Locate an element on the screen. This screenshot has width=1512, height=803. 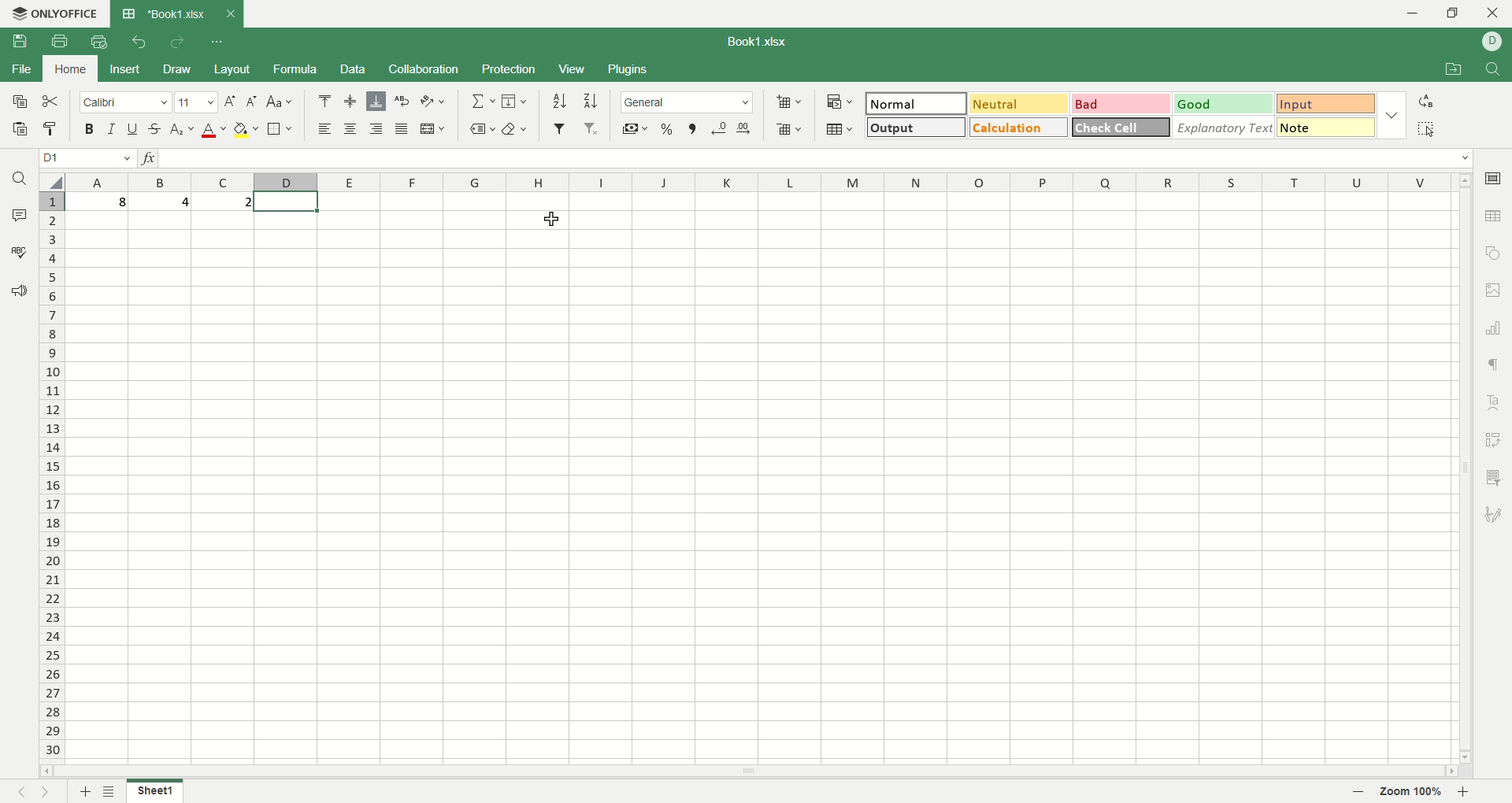
find is located at coordinates (1494, 67).